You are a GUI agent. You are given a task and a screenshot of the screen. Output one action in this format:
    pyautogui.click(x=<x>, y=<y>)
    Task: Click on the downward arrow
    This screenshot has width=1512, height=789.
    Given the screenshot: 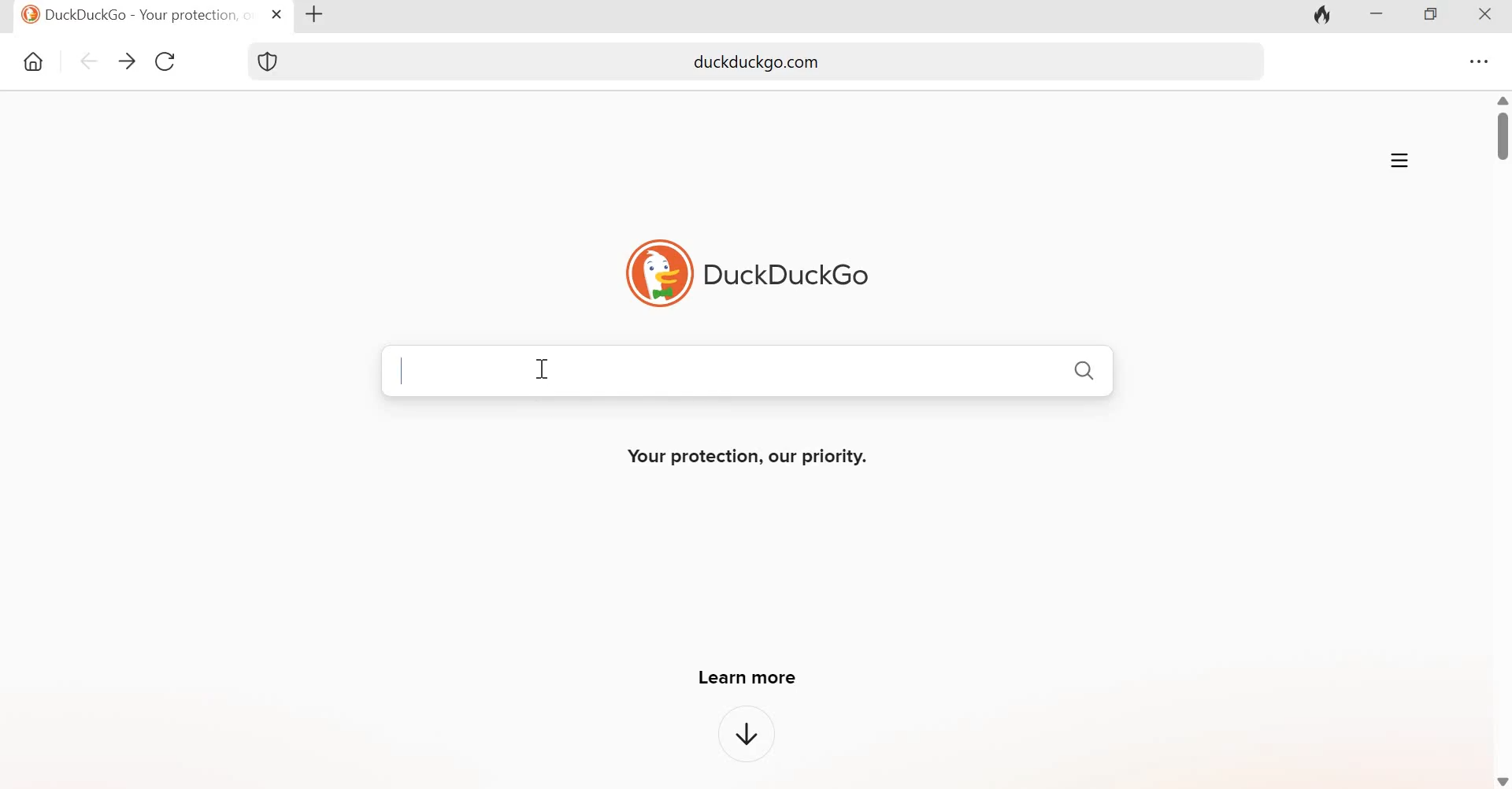 What is the action you would take?
    pyautogui.click(x=747, y=734)
    